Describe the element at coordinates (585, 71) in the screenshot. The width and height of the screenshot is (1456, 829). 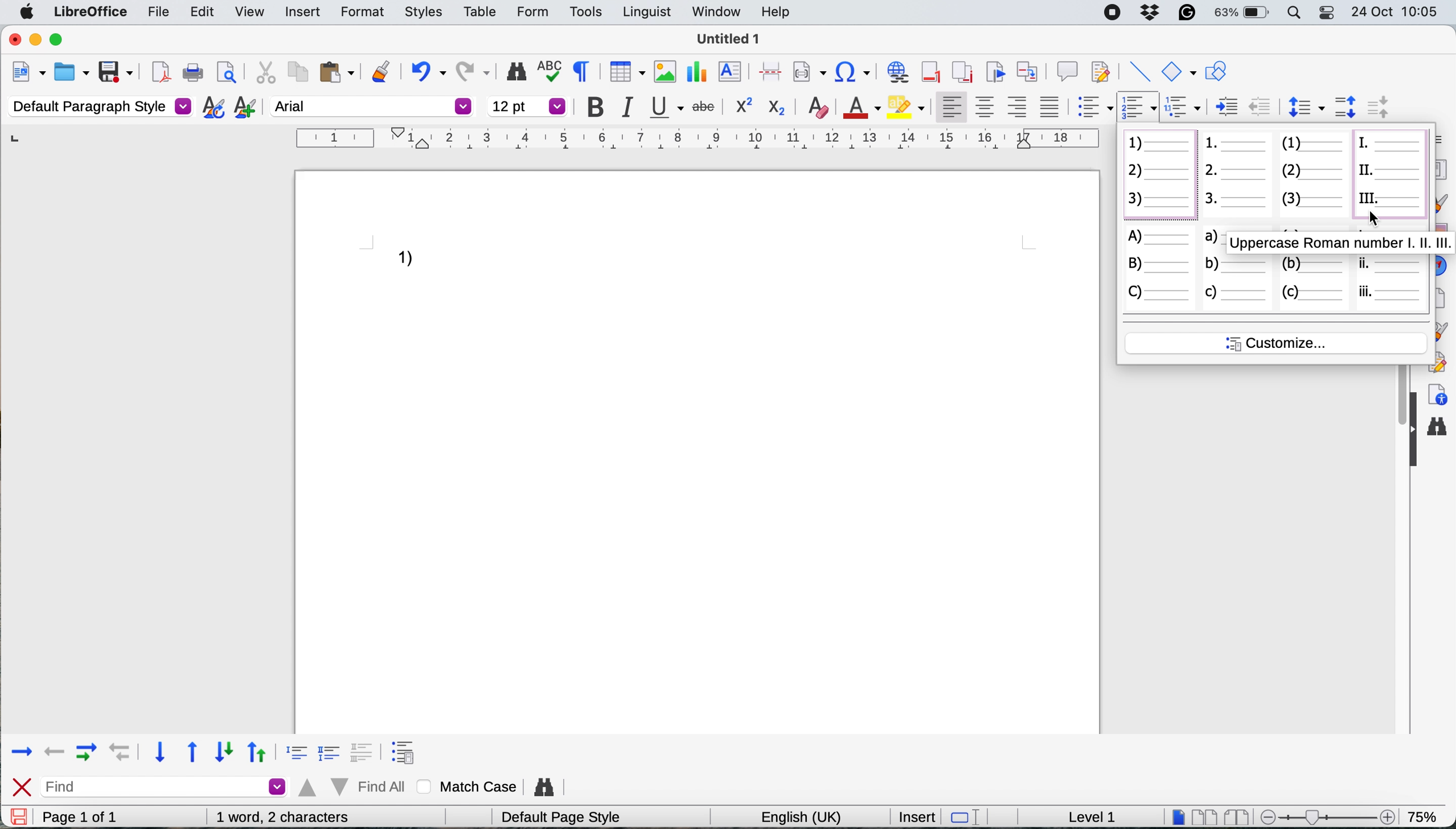
I see `toggle formatting marks` at that location.